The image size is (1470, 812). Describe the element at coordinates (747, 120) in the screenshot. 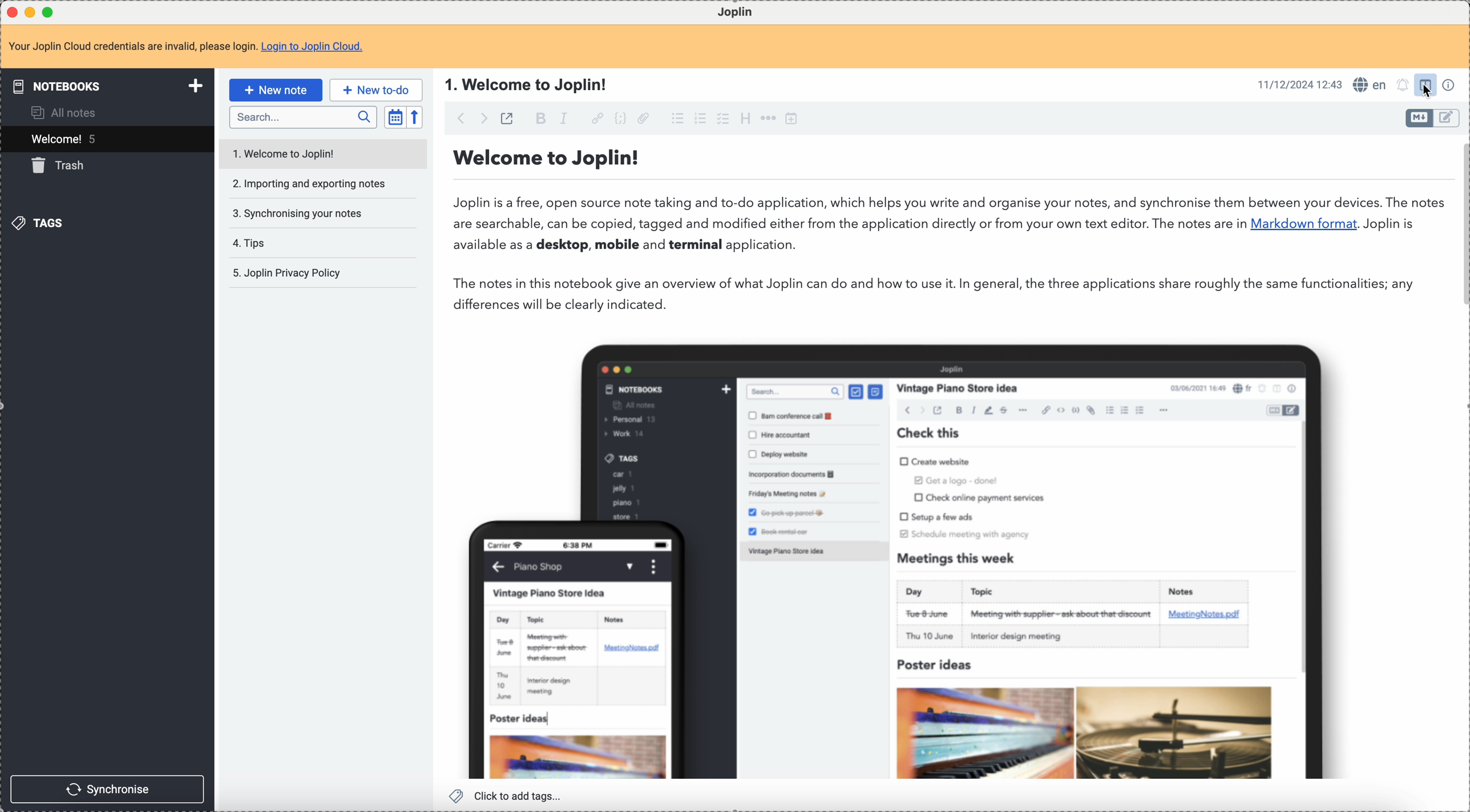

I see `heading` at that location.